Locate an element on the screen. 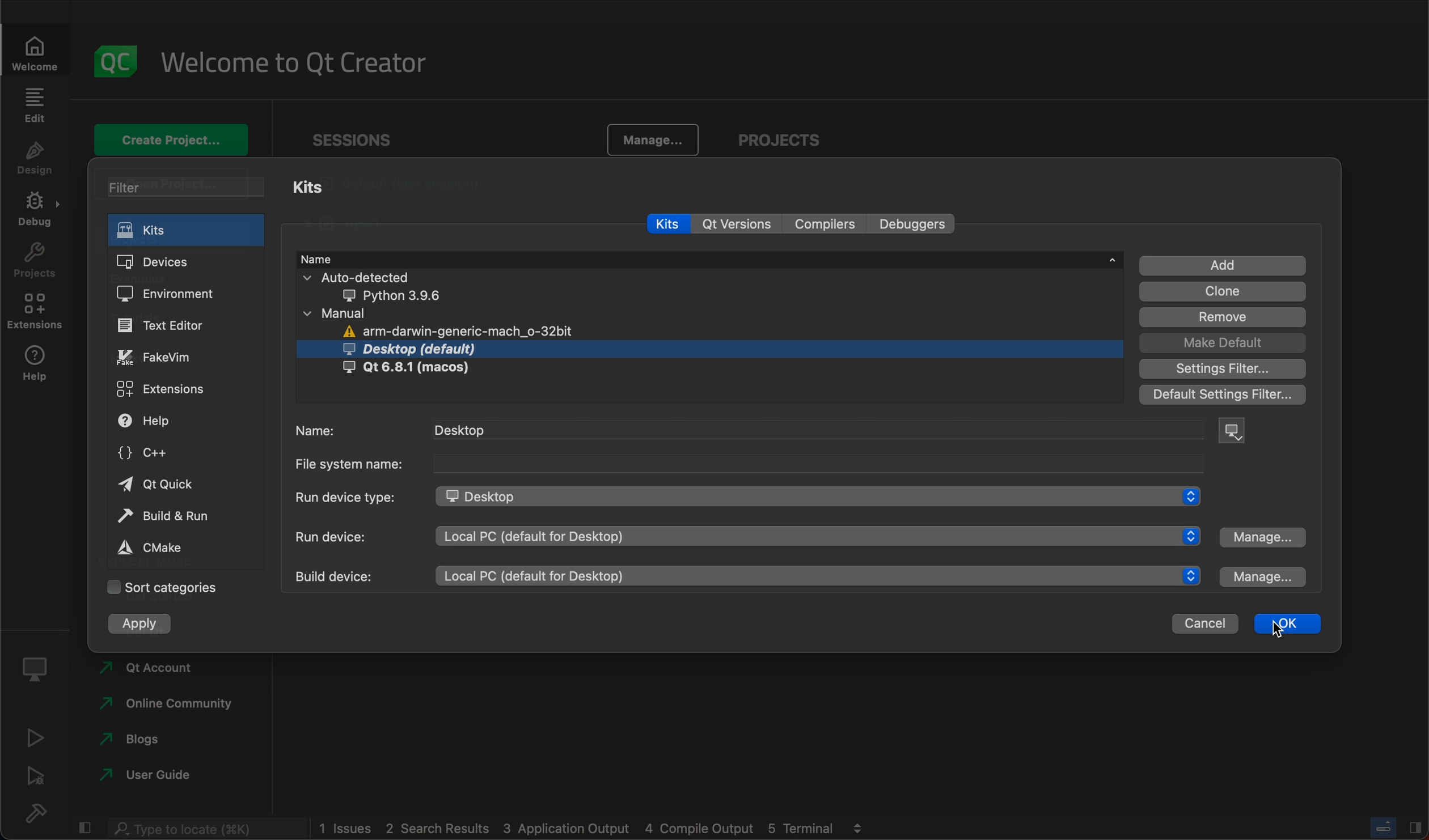  manage is located at coordinates (1264, 579).